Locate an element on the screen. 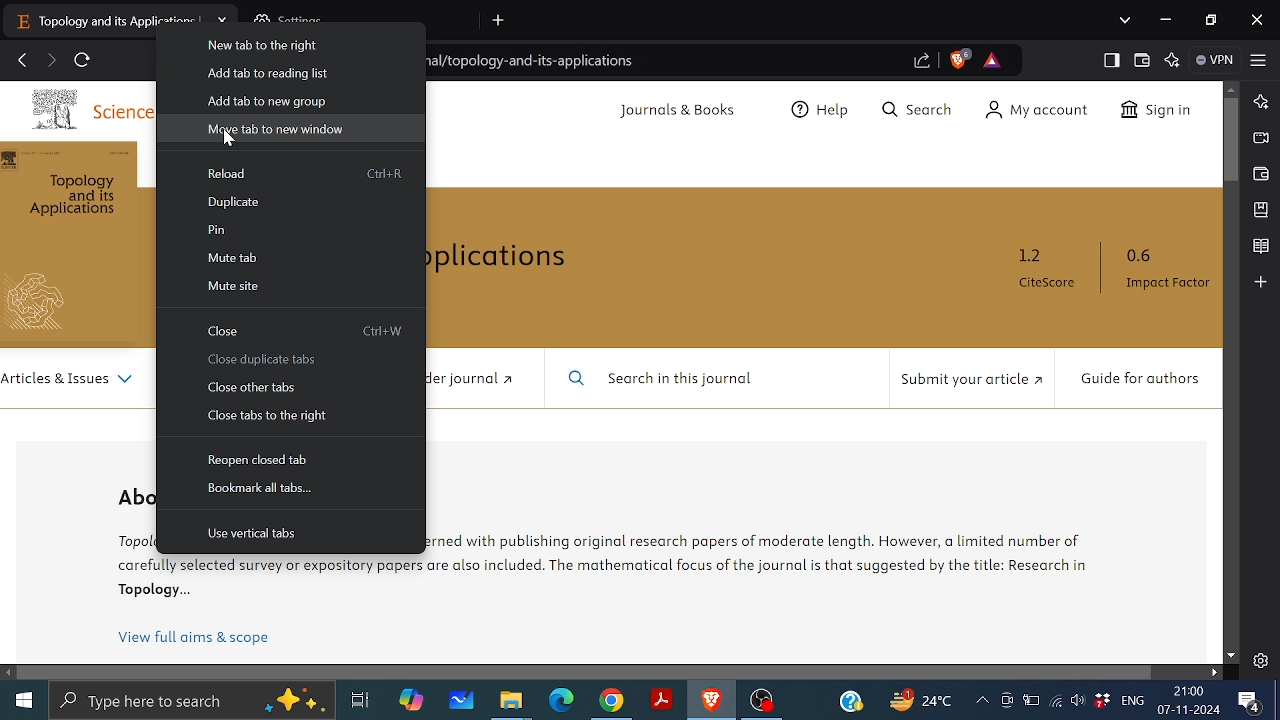 The height and width of the screenshot is (720, 1280). search is located at coordinates (916, 108).